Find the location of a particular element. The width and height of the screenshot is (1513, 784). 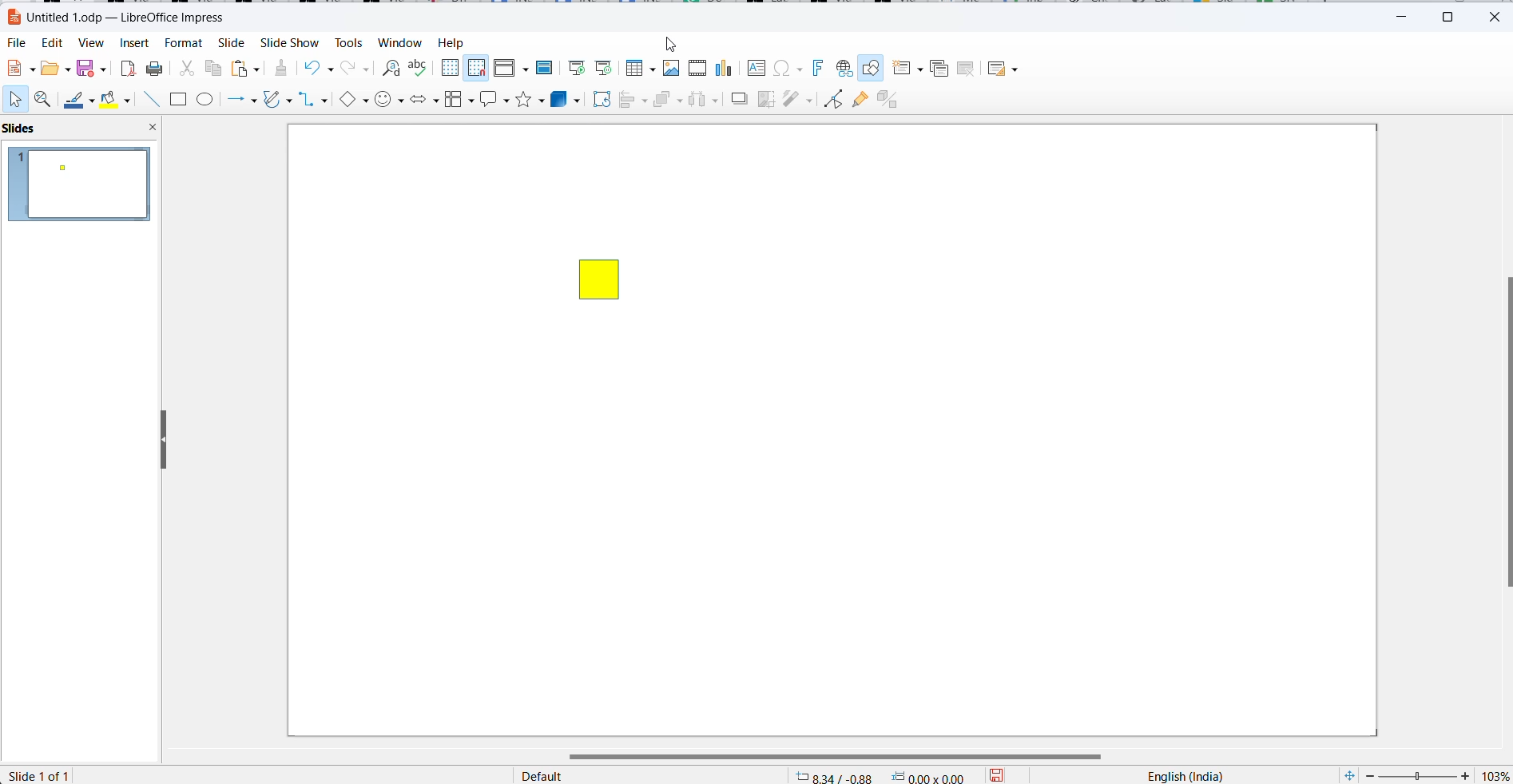

slide number is located at coordinates (40, 775).